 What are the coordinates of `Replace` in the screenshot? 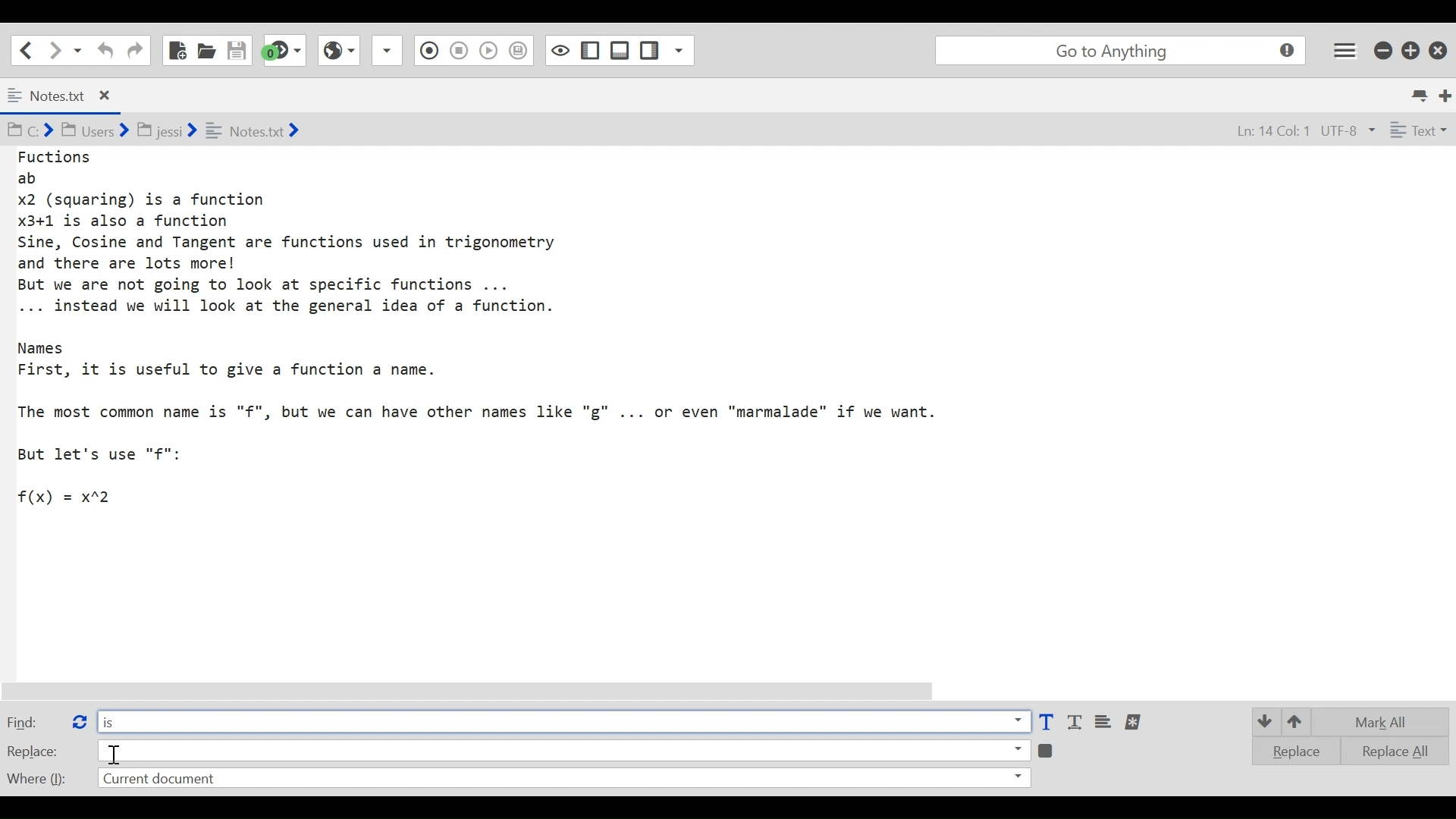 It's located at (1291, 751).